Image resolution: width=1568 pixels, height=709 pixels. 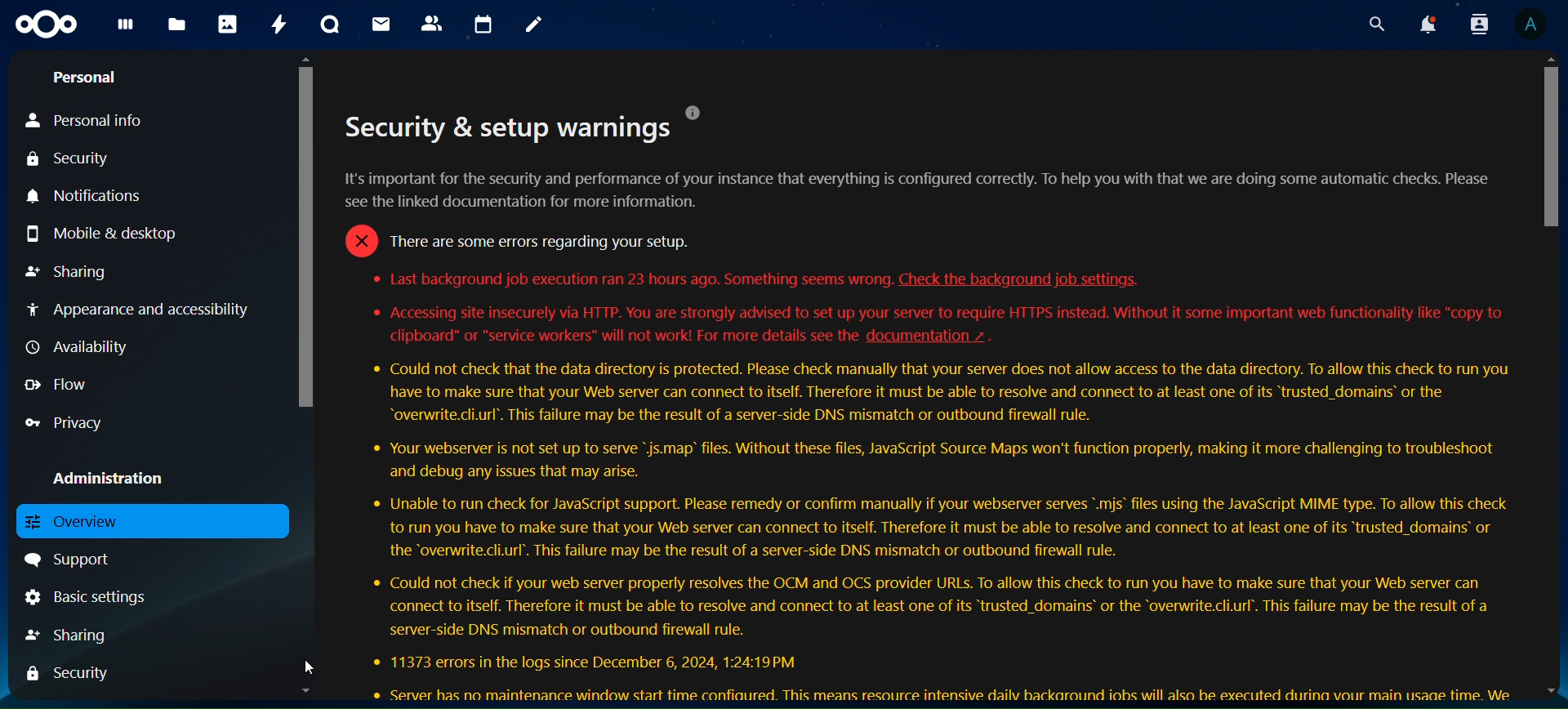 What do you see at coordinates (926, 402) in the screenshot?
I see `. . [1]
Security & setup warnings
It's important for the security and performance of your instance that everything is configured correctly. To help you with that we are doing some automatic checks. Please’
see the linked documentation for more information.
o There are some errors regarding your setup.

Last background job execution ran 23 hours ago. Something seems wrong. Check the background job settings.

* Accessing site insecurely via HTTP. You are strongly advised to set up your server to require HTTPS instead. Without it some important web functionality like "copy to
clipboard" or “service workers" will not work! For more details see the documentation ~ .

Could not check that the data directory is protected. Please check manually that your server does not allow access to the data directory. To allow this check to run you
have to make sure that your Web server can connect to itself. Therefore it must be able to resolve and connect to at least one of its ‘trusted_domains’ or the
“overwrite.cli.url’. This failure may be the result of a server-side DNS mismatch or outbound firewall rule.

* Your webserver is not set up to serve “js.map’ files. Without these files, JavaScript Source Maps won't function properly, making it more challenging to troubleshoot
and debug any issues that may arise.

Unable to run check for JavaScript support. Please remedy or confirm manually if your webserver serves ".mijs" files using the JavaScript MIME type. To allow this check
to run you have to make sure that your Web server can connect to itself. Therefore it must be able to resolve and connect to at least one of its “trusted_domains’ or
the “overwrite.cli.url’. This failure may be the result of a server-side DNS mismatch or outbound firewall rule.

Could not check if your web server properly resolves the OCM and OCS provider URLs. To allow this check to run you have to make sure that your Web server can
connect to itself. Therefore it must be able to resolve and connect to at least one of its ‘trusted_domains’ or the “overwrite.cli.url’. This failure may be the result of a
server-side DNS mismatch or outbound firewall rule.

* 11373 errors in the logs since December 6, 2024, 1:24:19 PM` at bounding box center [926, 402].